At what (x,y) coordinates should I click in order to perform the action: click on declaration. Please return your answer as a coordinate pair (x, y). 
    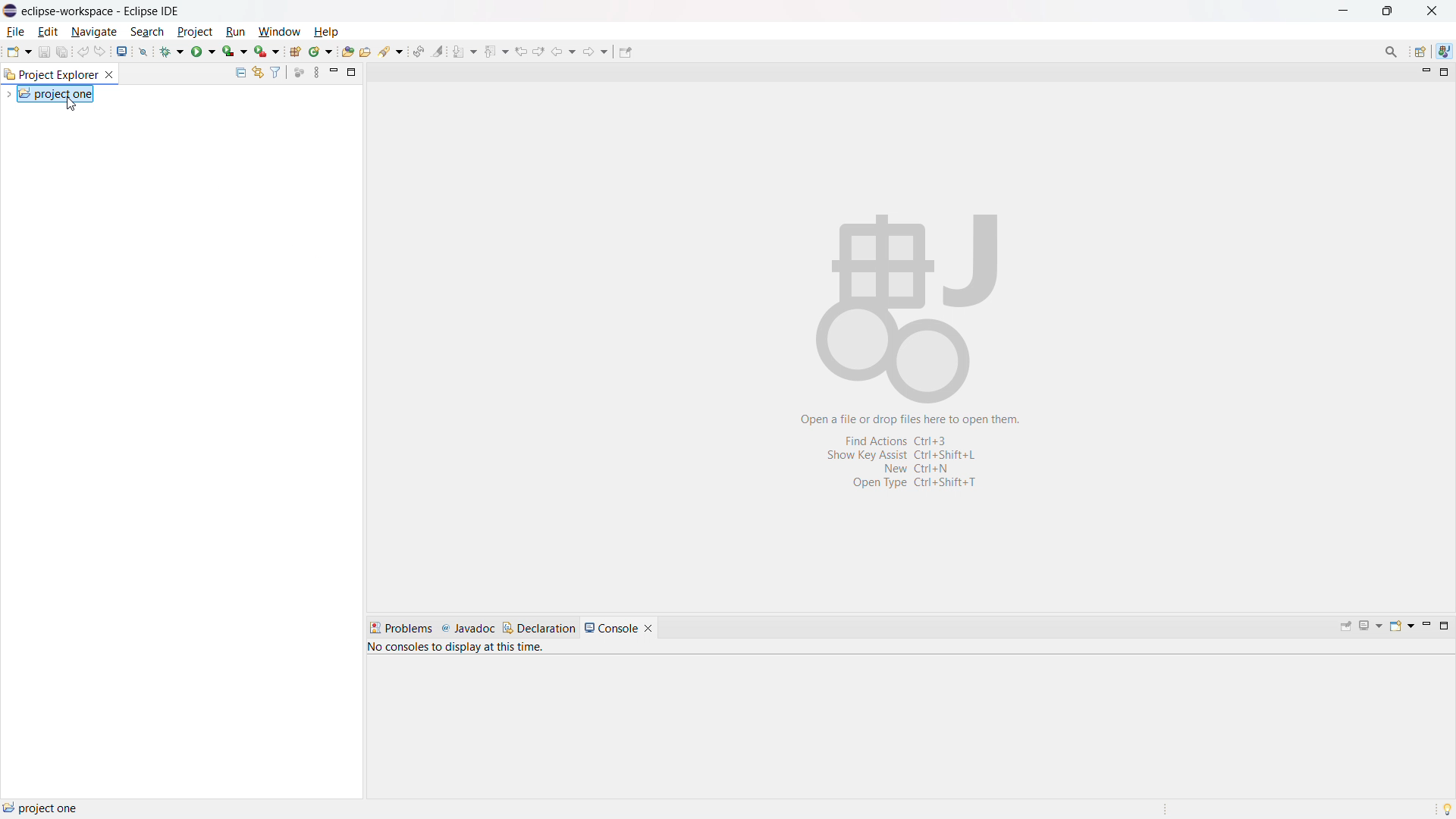
    Looking at the image, I should click on (539, 628).